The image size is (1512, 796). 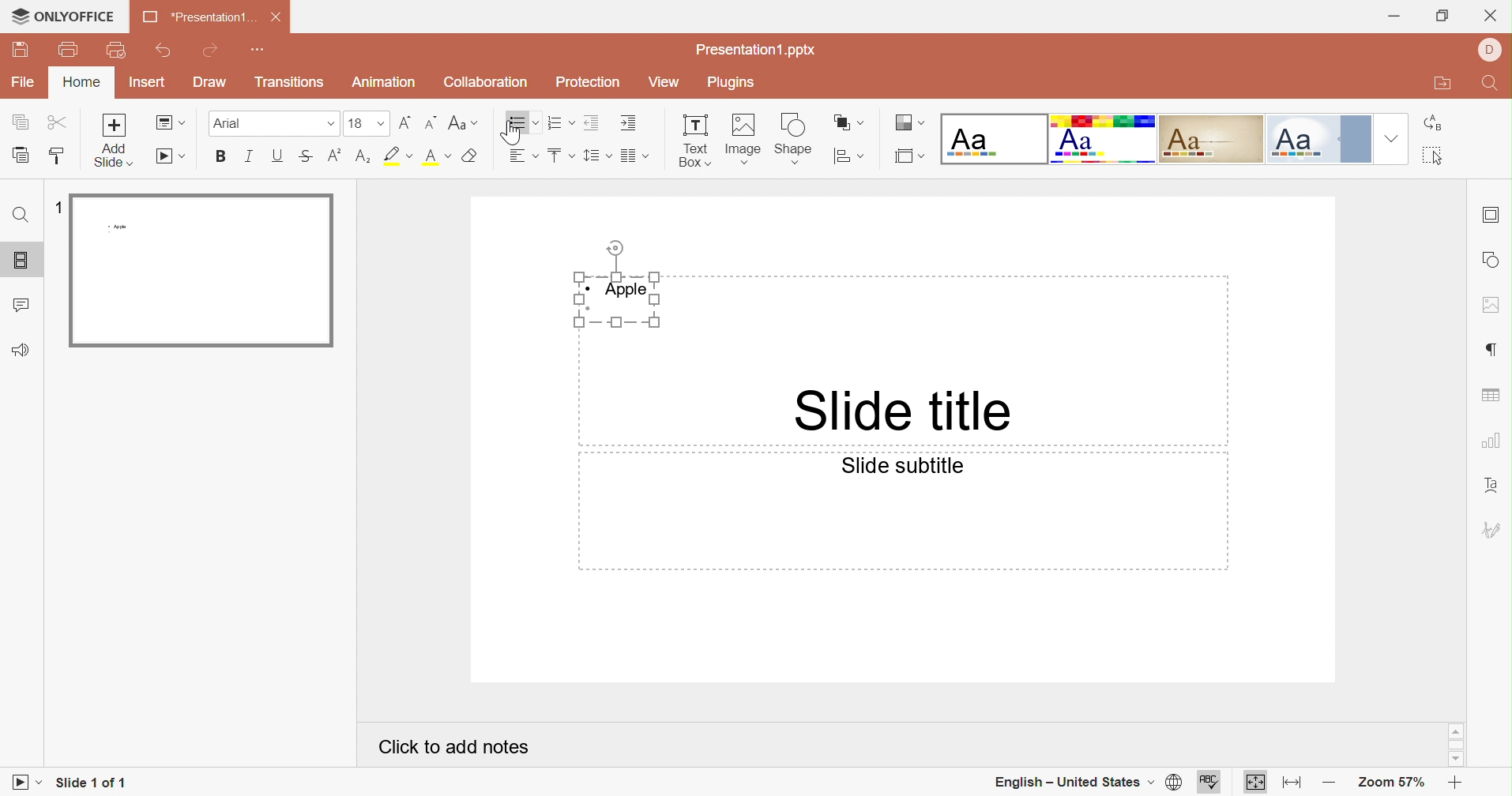 What do you see at coordinates (164, 52) in the screenshot?
I see `Undo` at bounding box center [164, 52].